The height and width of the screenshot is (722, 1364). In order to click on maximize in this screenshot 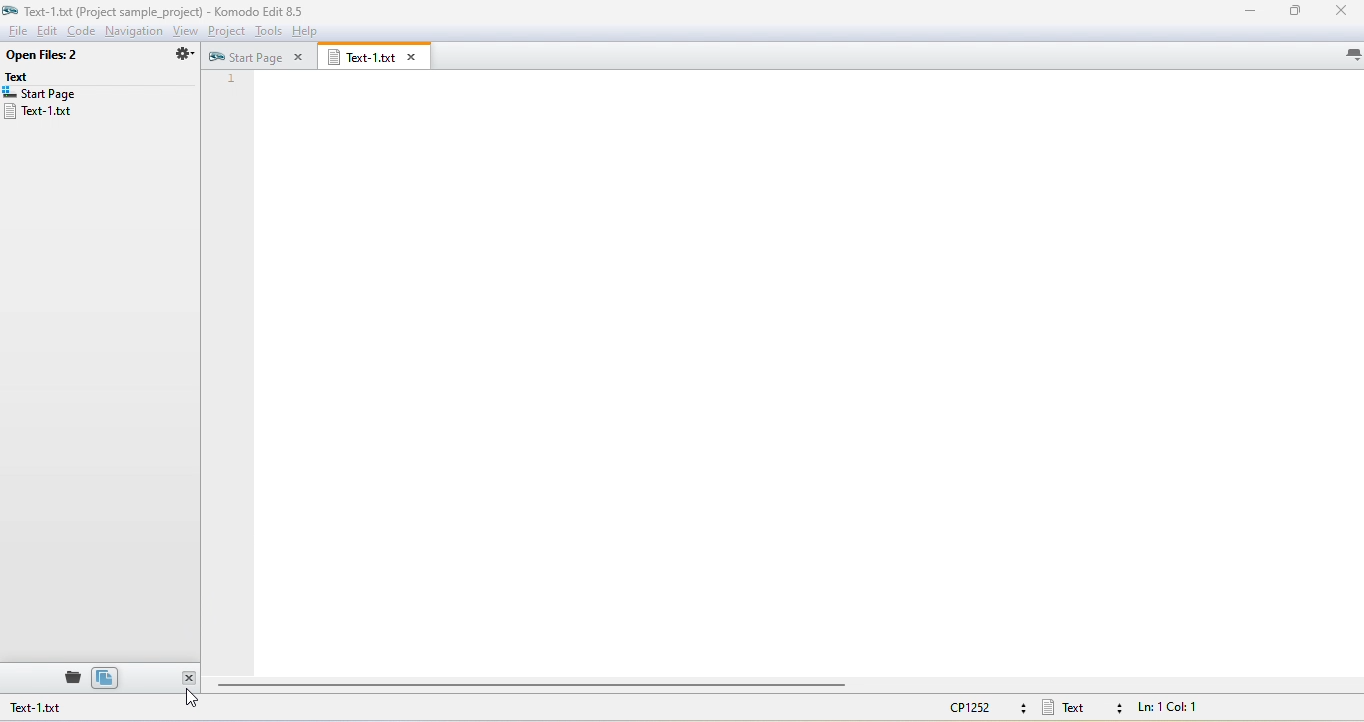, I will do `click(1298, 12)`.